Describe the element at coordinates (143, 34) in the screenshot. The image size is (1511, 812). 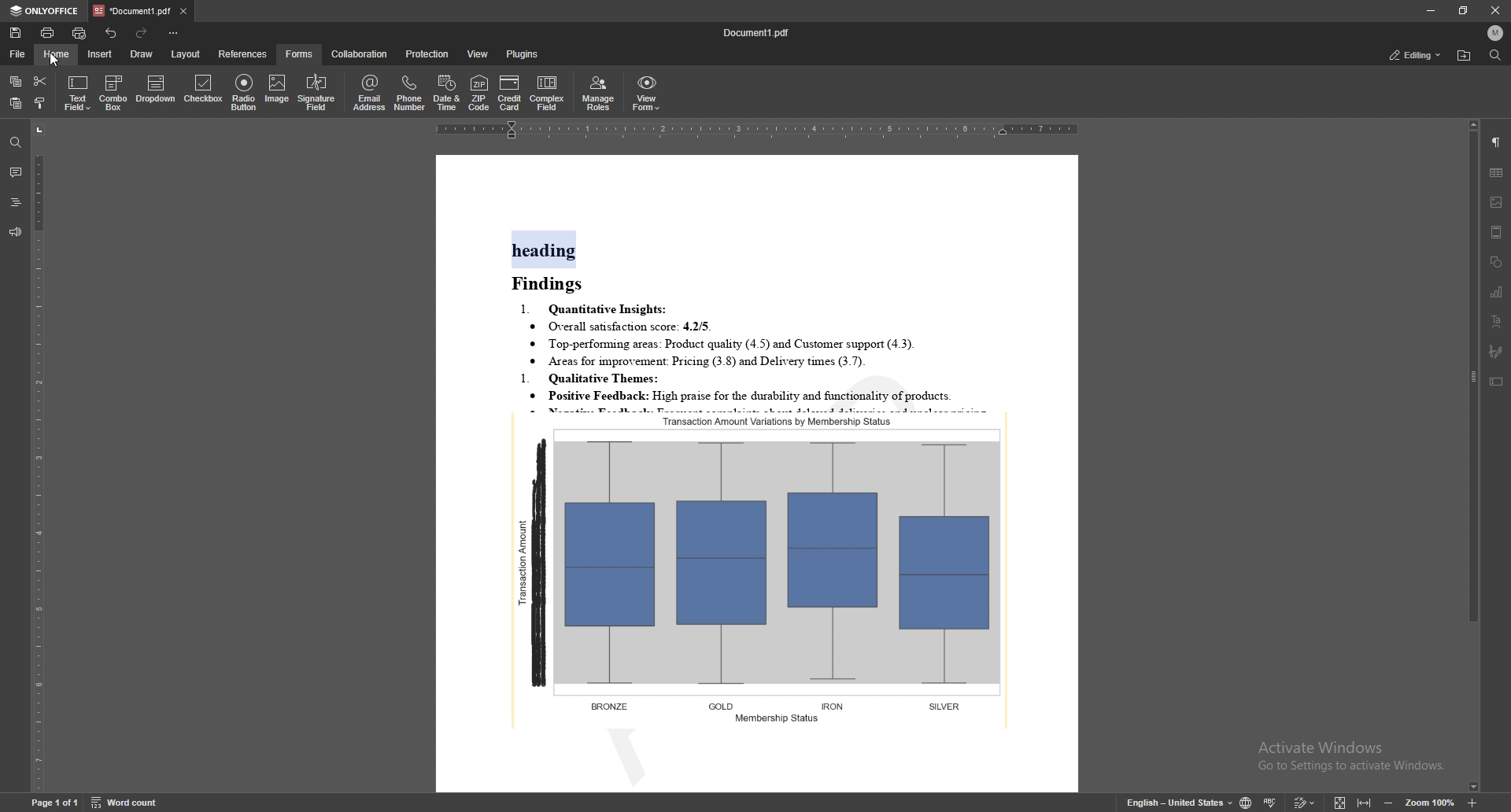
I see `redo` at that location.